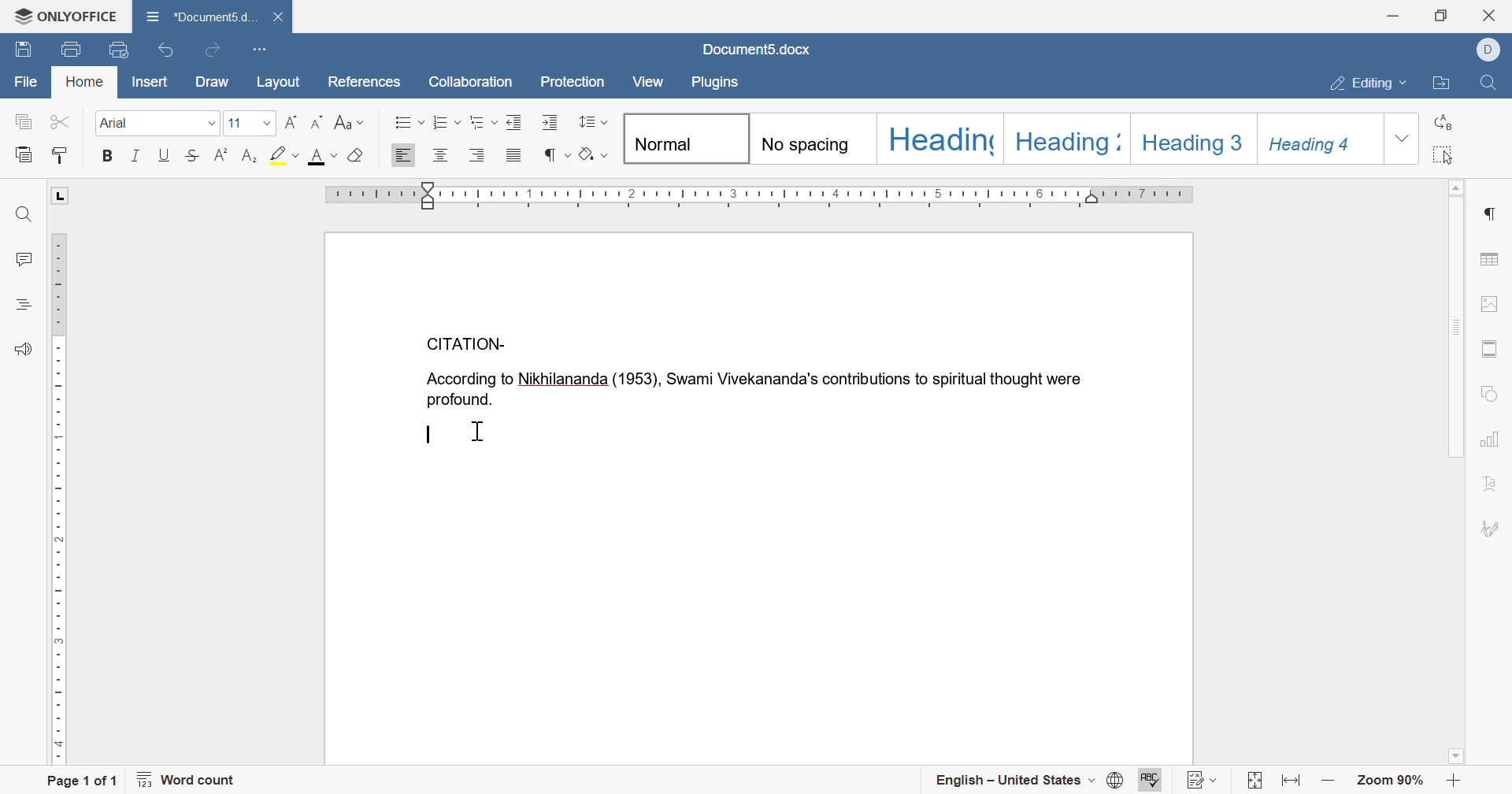 The image size is (1512, 794). Describe the element at coordinates (480, 431) in the screenshot. I see `cursor` at that location.